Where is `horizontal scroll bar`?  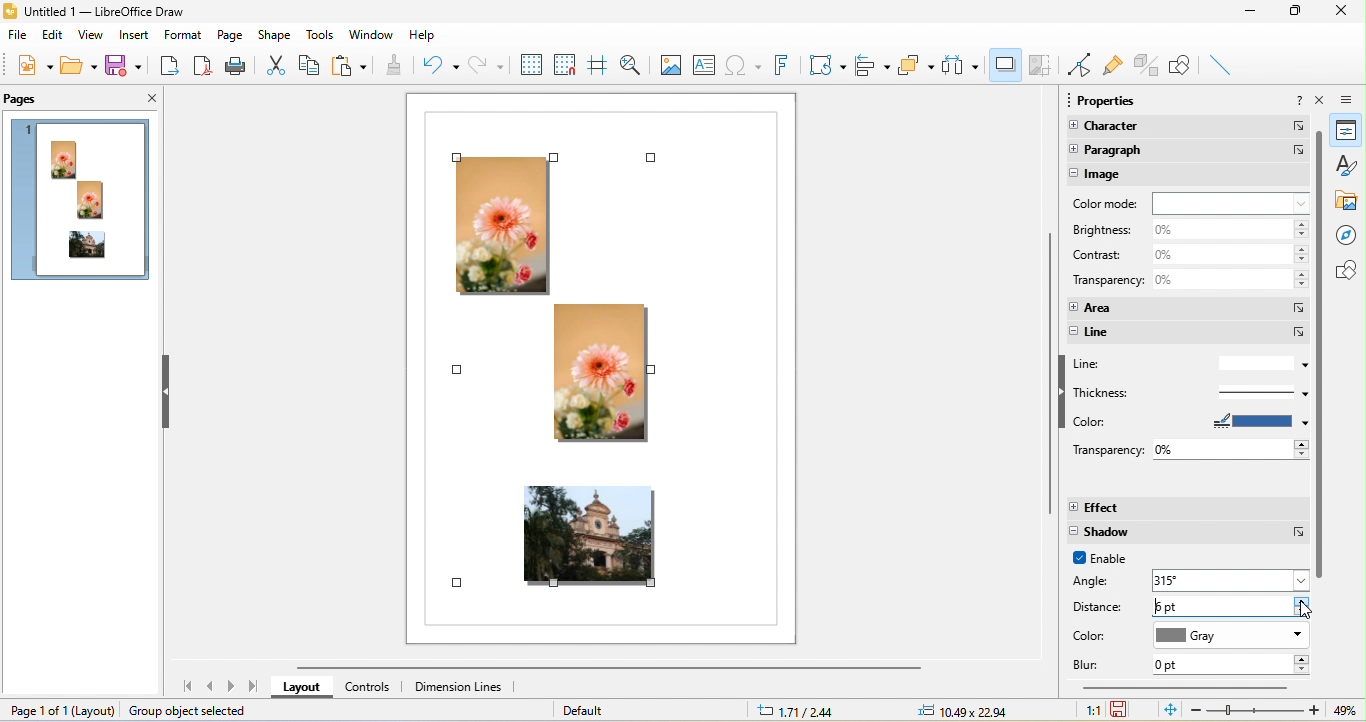
horizontal scroll bar is located at coordinates (623, 669).